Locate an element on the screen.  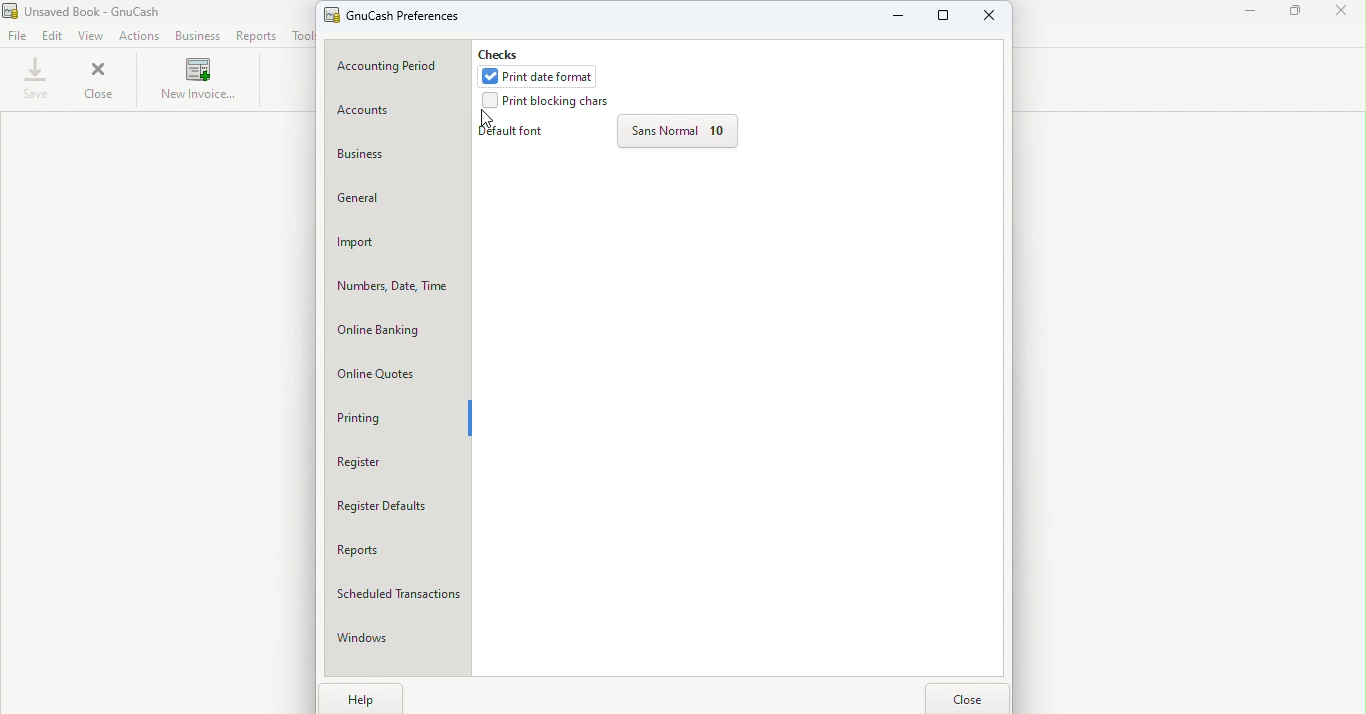
View is located at coordinates (92, 36).